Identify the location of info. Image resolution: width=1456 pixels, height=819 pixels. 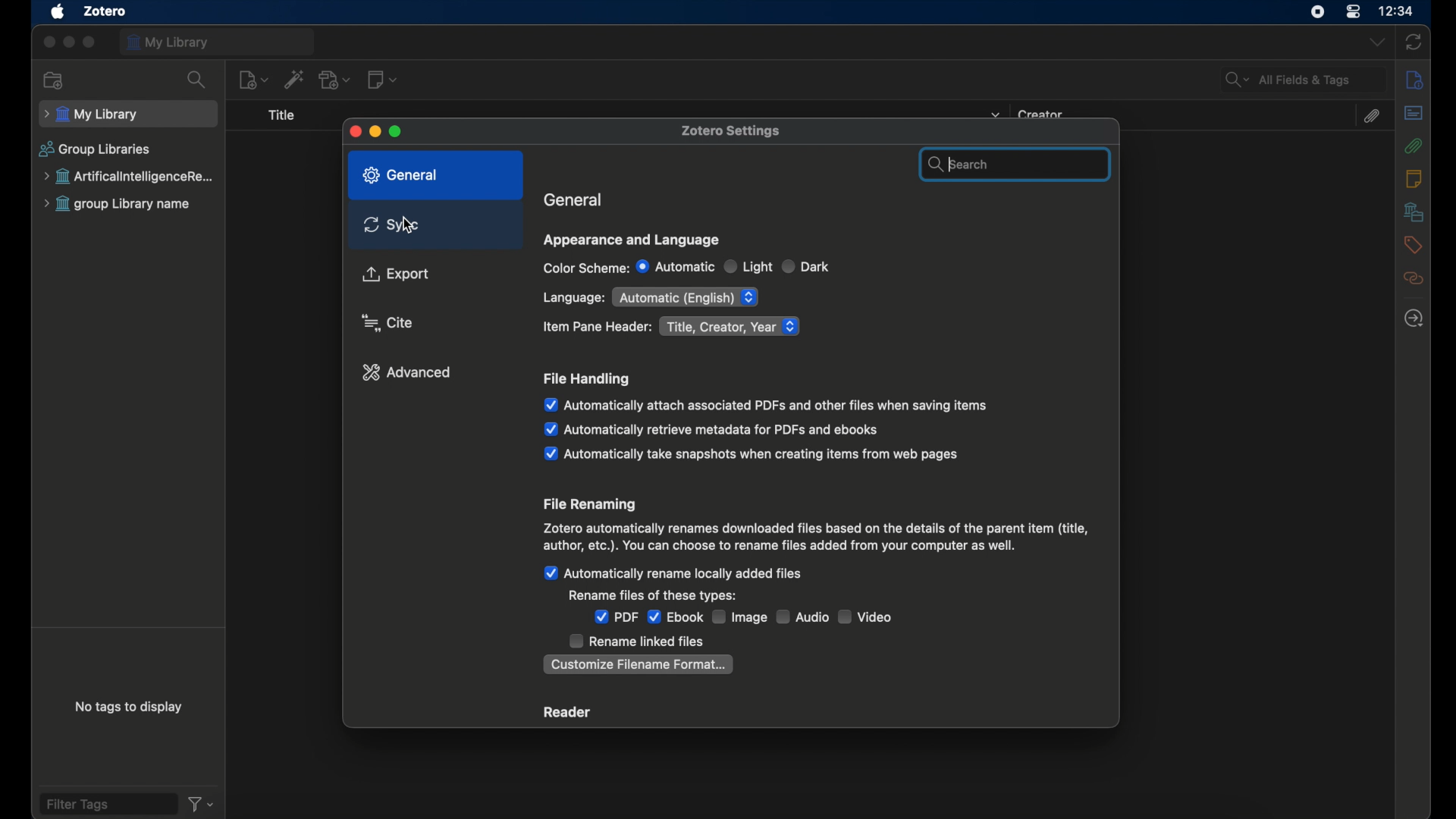
(1414, 80).